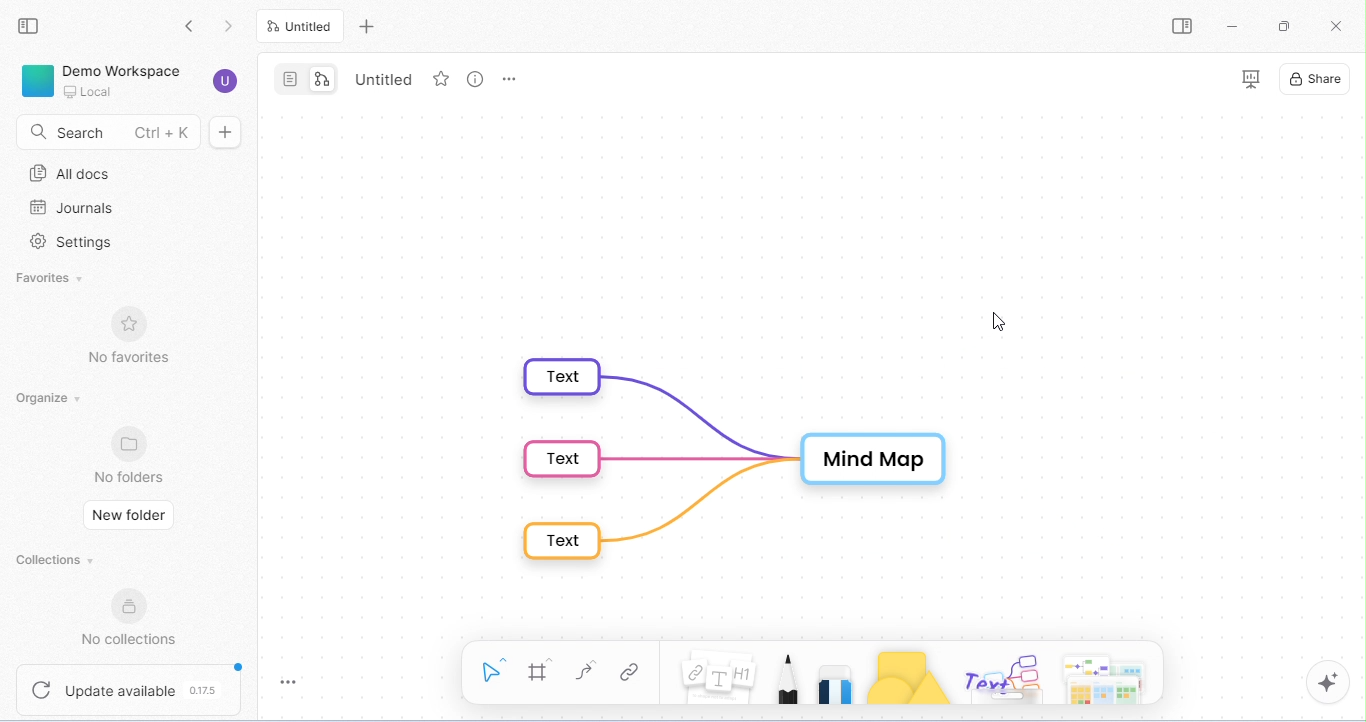  Describe the element at coordinates (48, 399) in the screenshot. I see `organize` at that location.